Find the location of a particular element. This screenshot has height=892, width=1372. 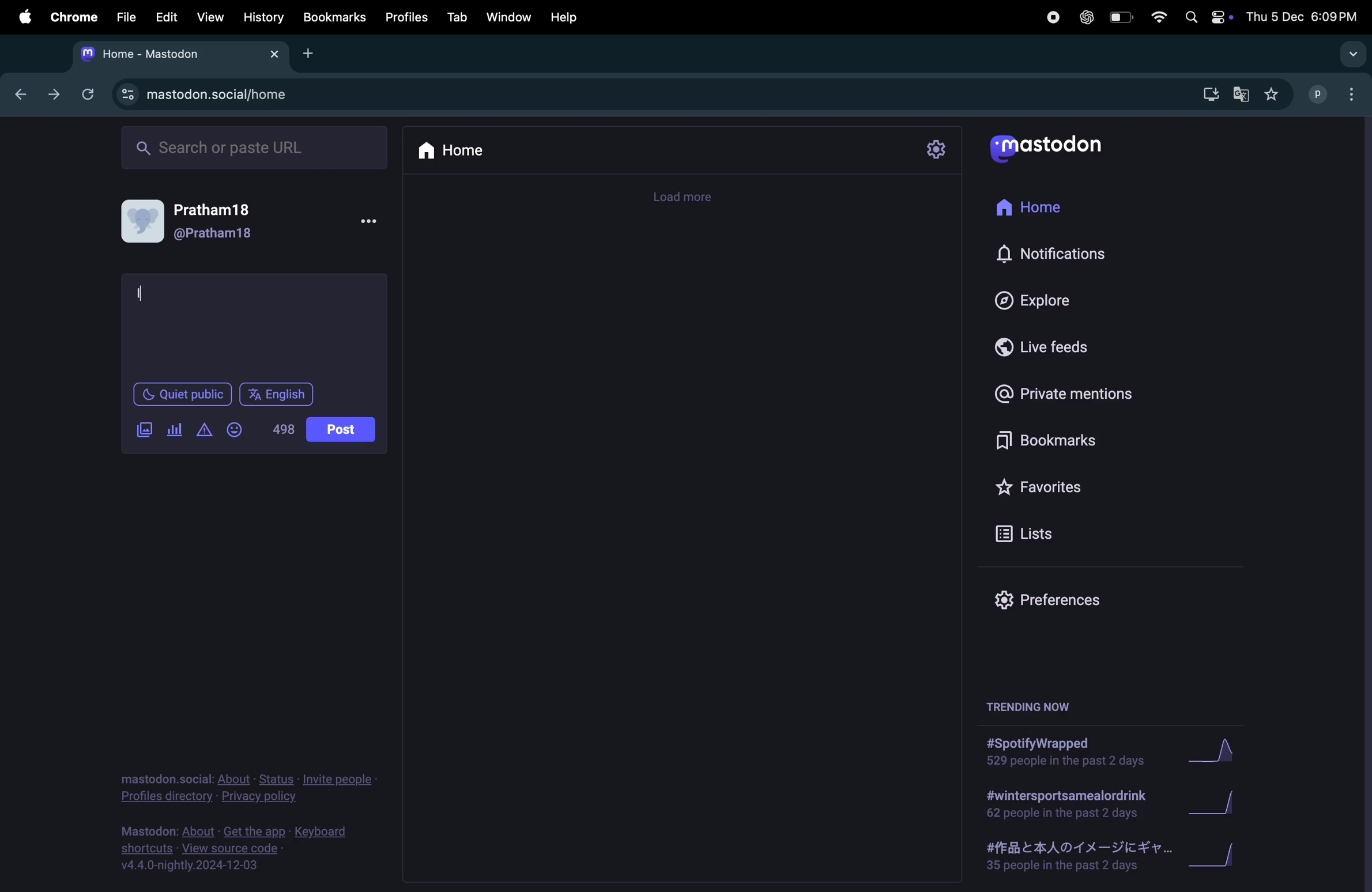

Explore is located at coordinates (1046, 301).